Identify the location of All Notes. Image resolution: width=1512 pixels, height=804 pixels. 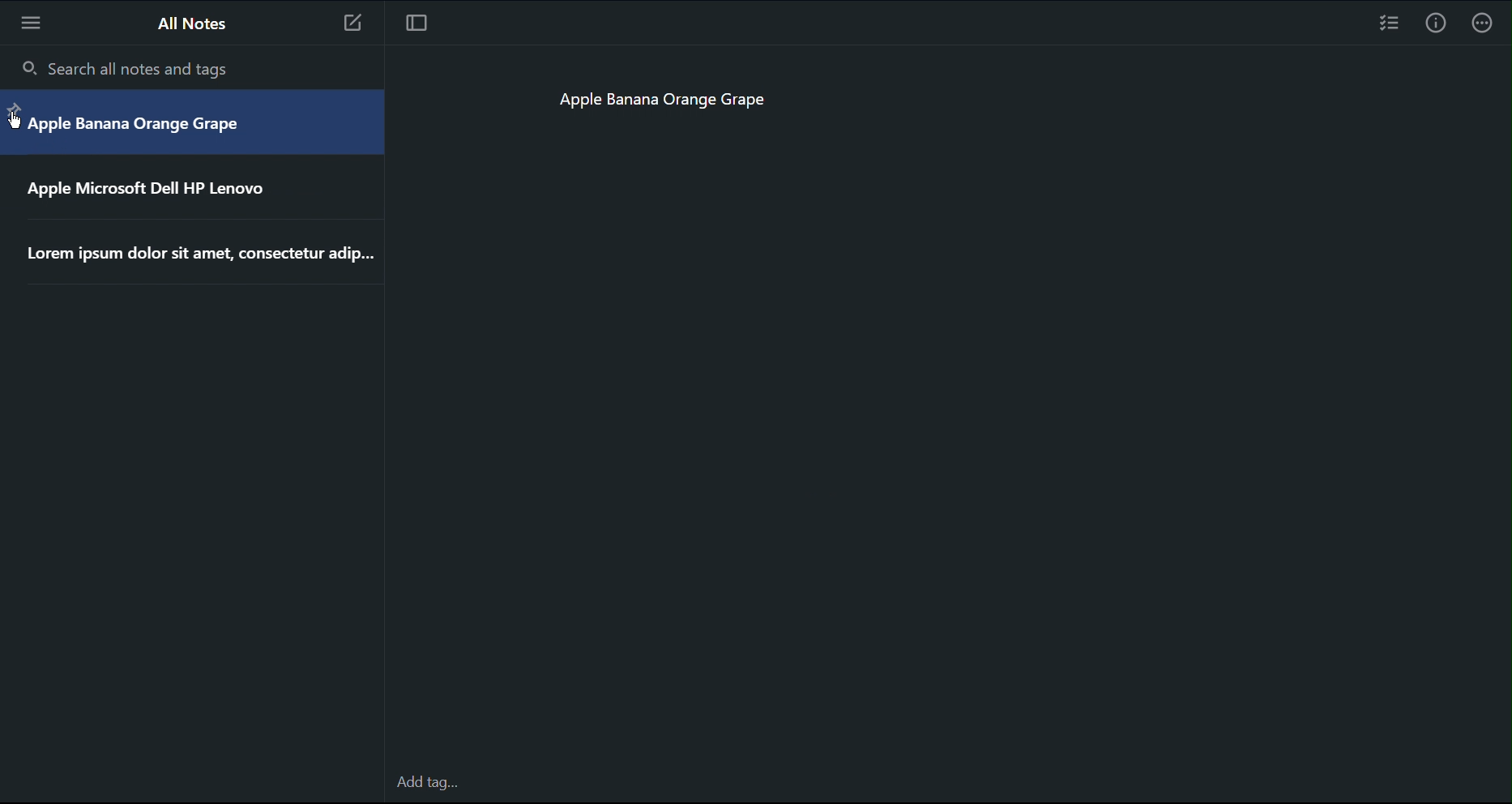
(194, 27).